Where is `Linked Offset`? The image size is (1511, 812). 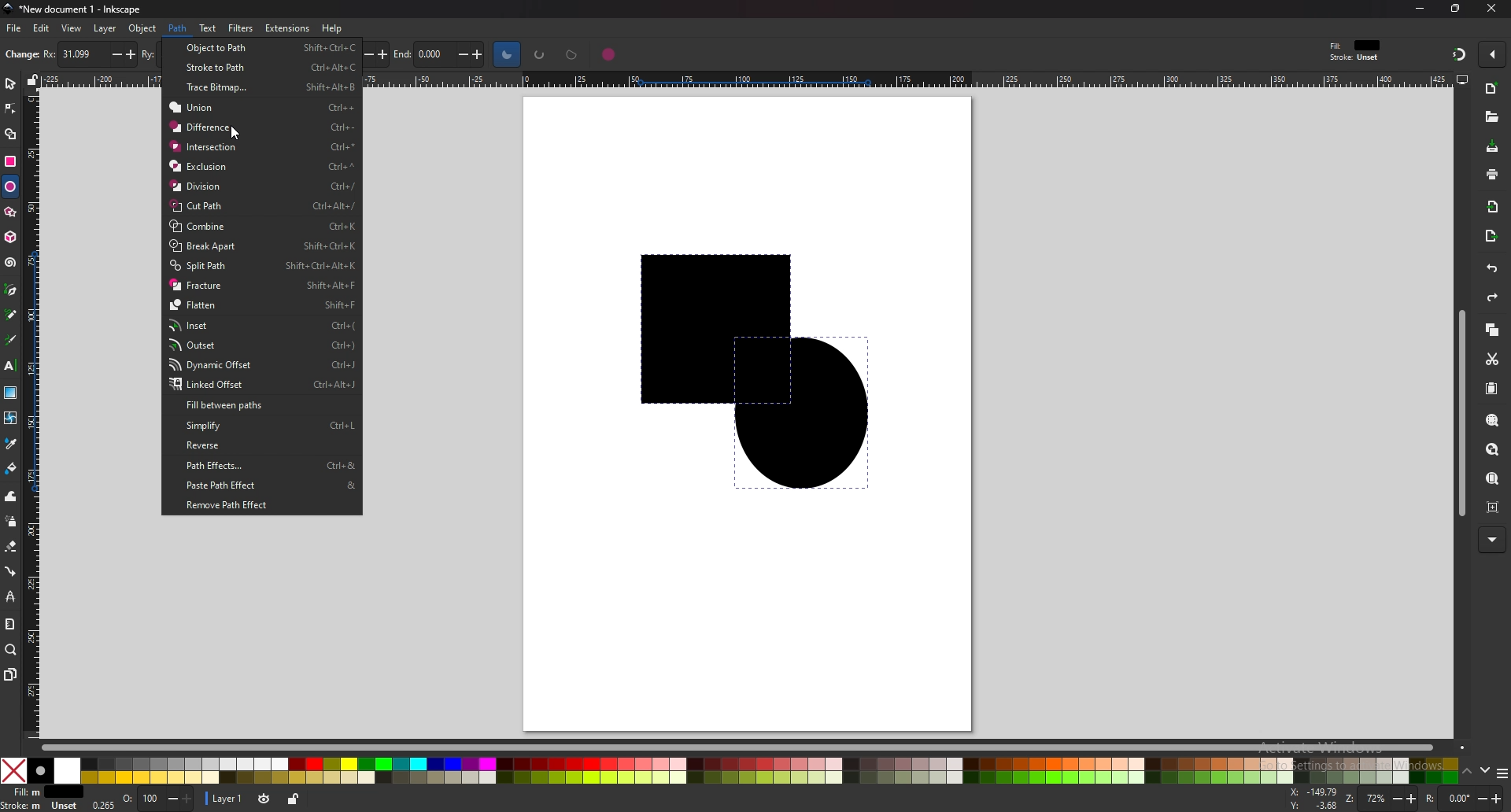 Linked Offset is located at coordinates (257, 385).